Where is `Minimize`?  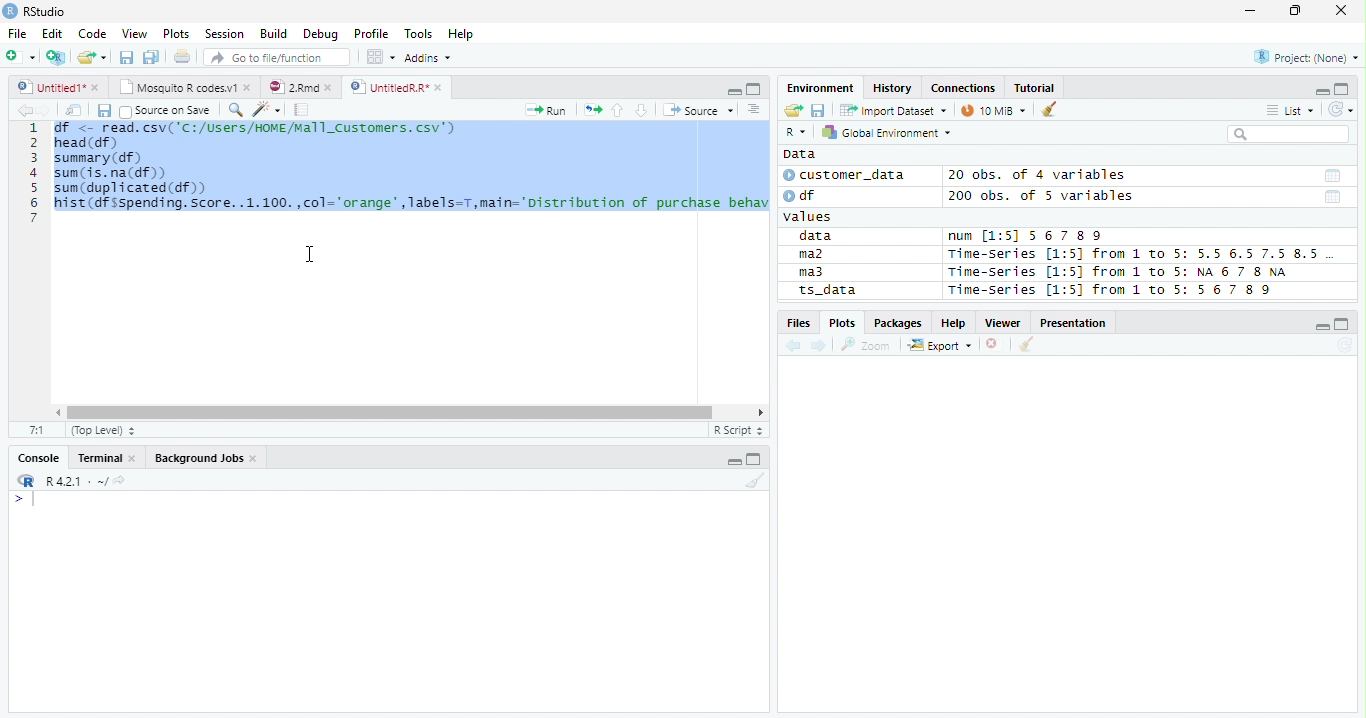 Minimize is located at coordinates (735, 459).